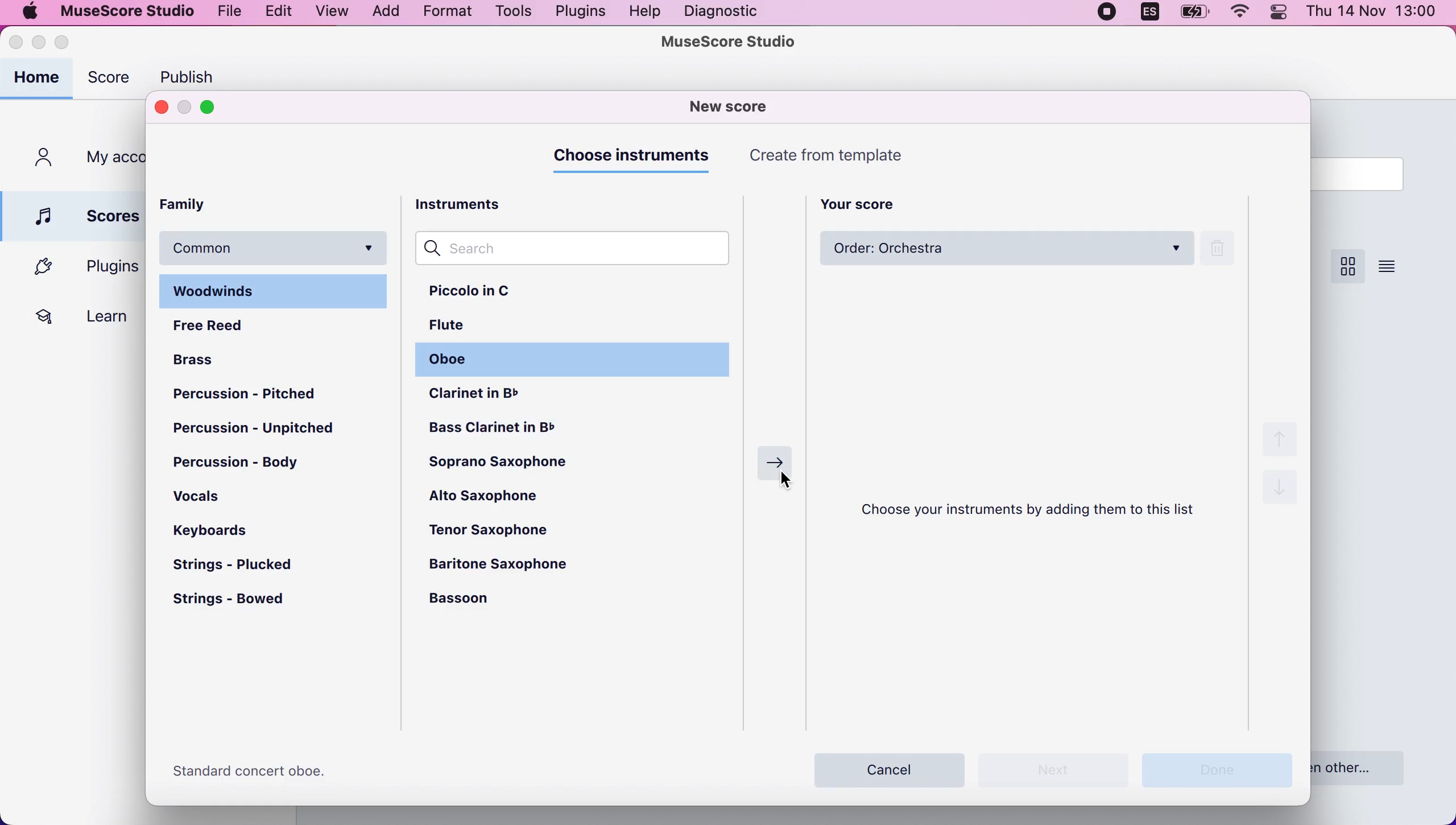 The height and width of the screenshot is (825, 1456). What do you see at coordinates (237, 603) in the screenshot?
I see `strings-bowed` at bounding box center [237, 603].